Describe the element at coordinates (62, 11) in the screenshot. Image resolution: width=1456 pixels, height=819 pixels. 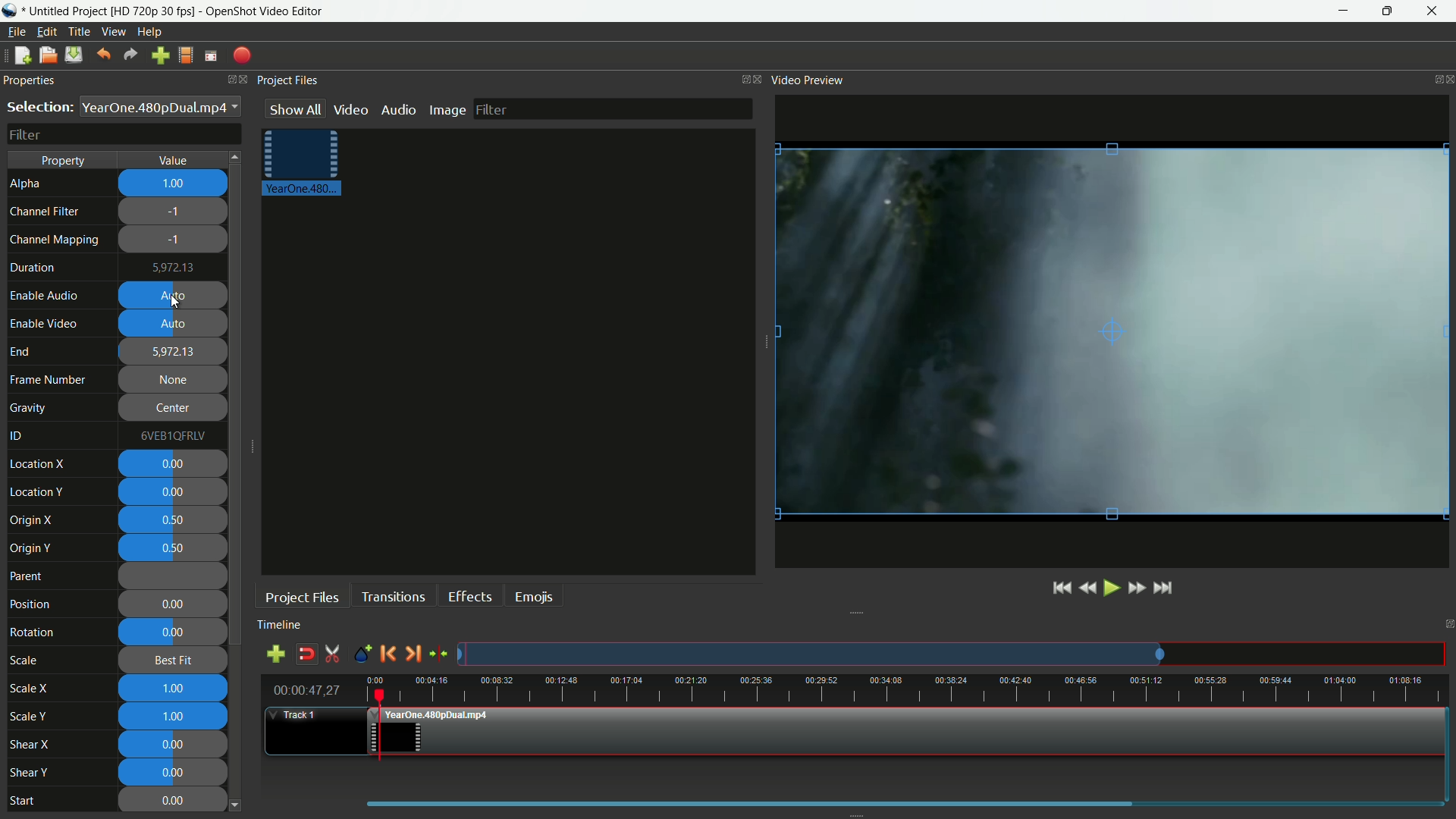
I see `project name` at that location.